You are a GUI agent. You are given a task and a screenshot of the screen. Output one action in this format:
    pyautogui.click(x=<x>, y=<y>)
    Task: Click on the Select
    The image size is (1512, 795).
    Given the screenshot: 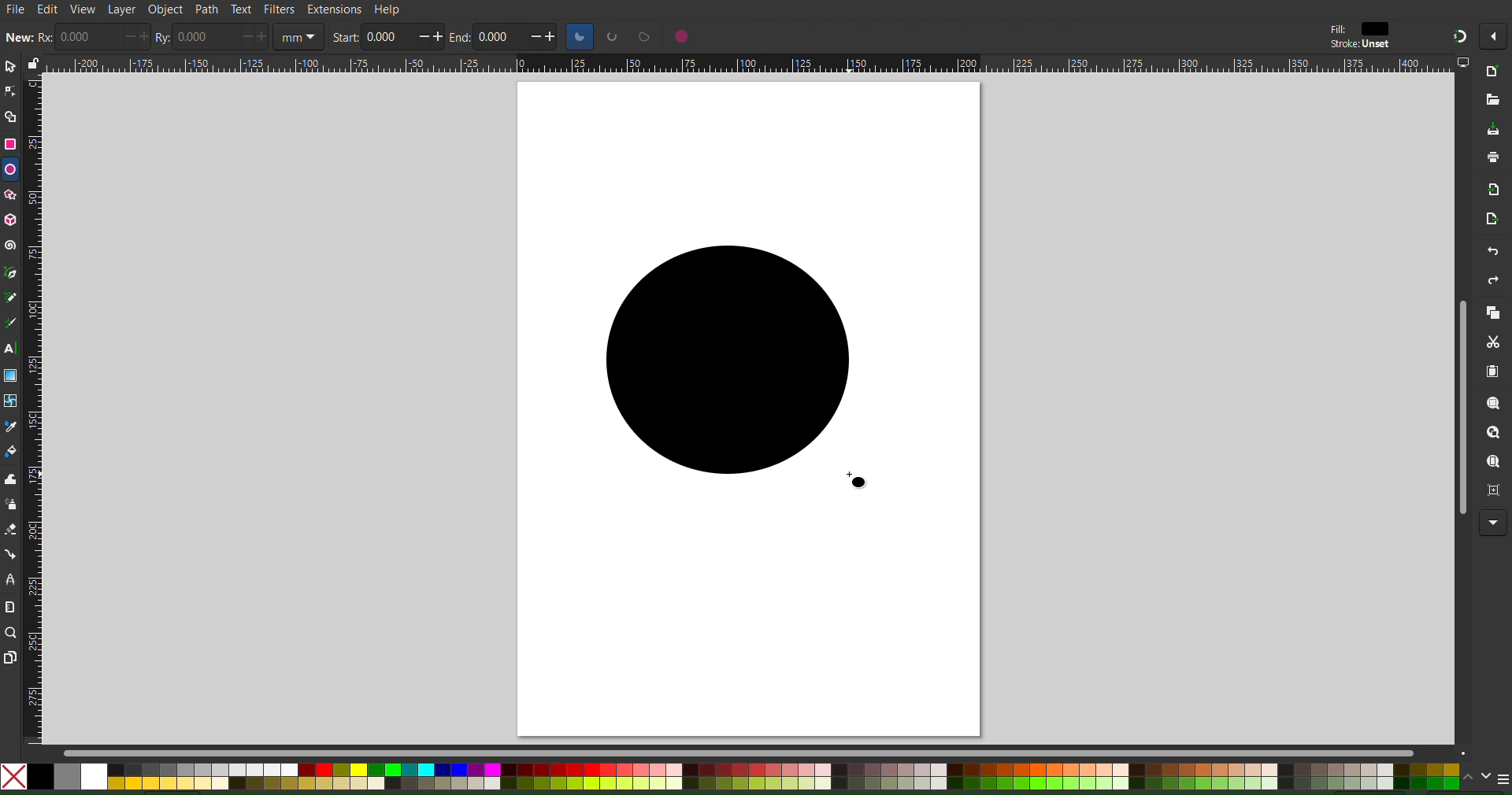 What is the action you would take?
    pyautogui.click(x=11, y=66)
    